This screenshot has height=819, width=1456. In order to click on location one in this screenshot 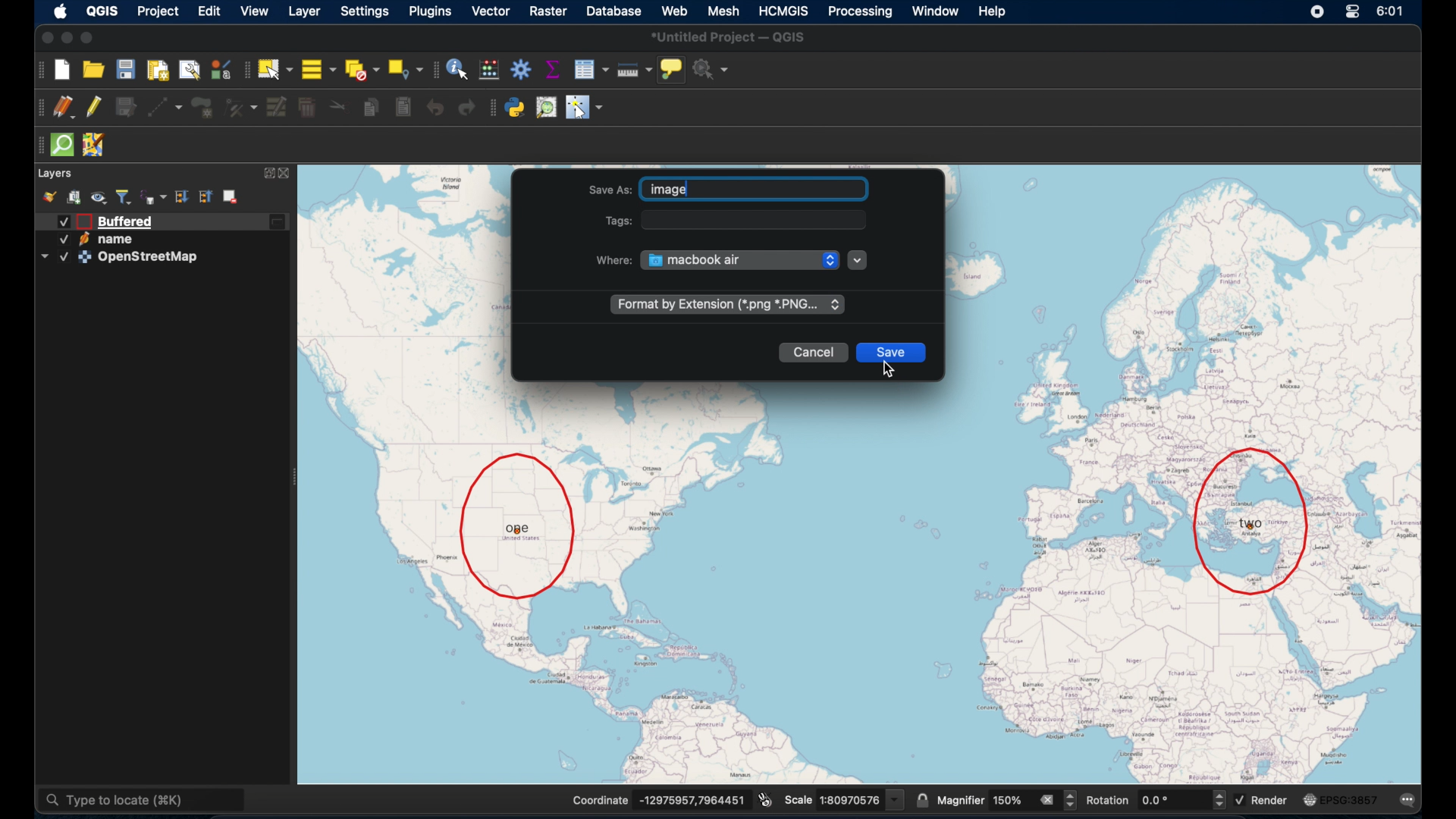, I will do `click(516, 523)`.